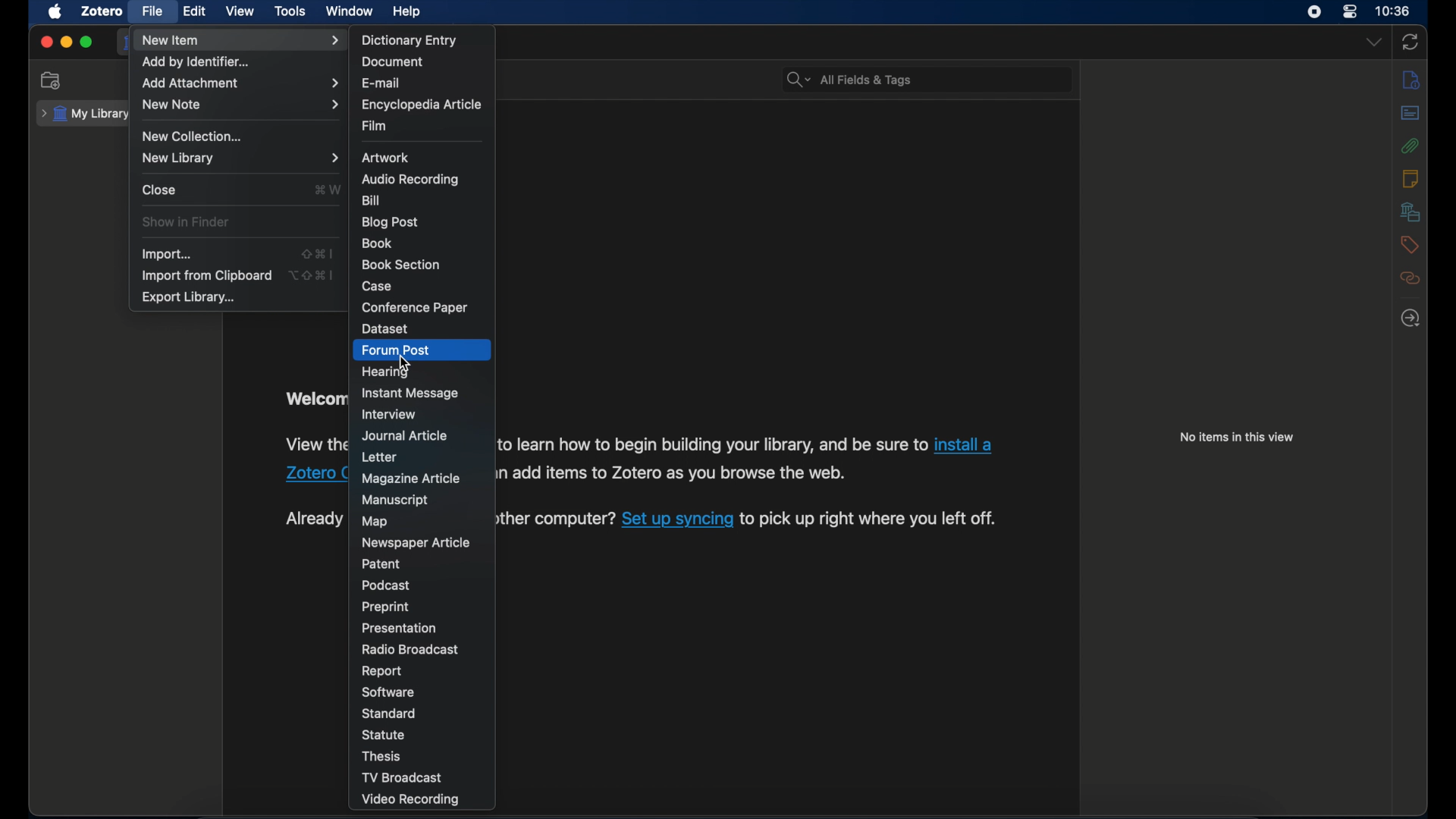  I want to click on manuscript, so click(397, 499).